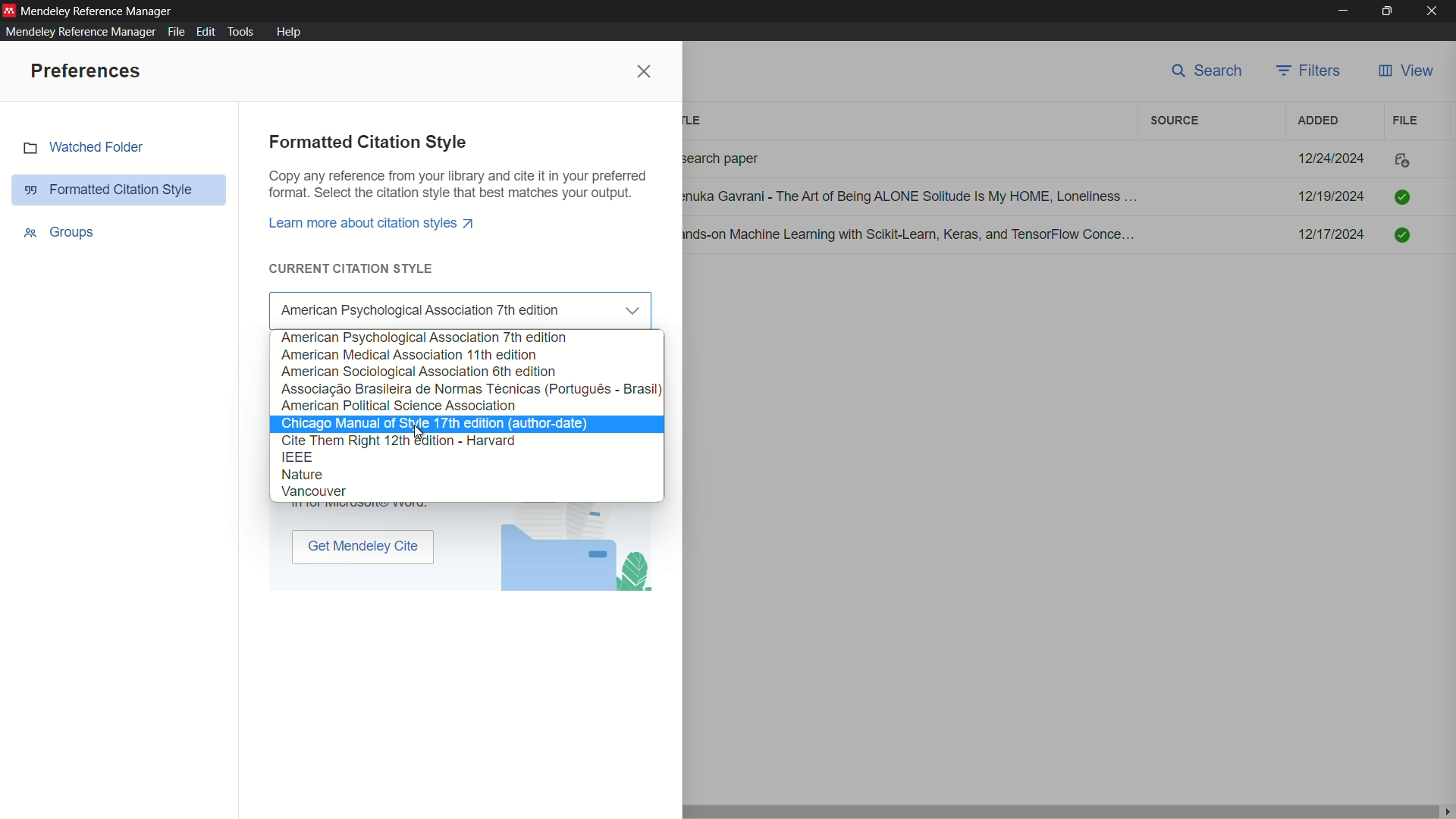 This screenshot has width=1456, height=819. What do you see at coordinates (428, 435) in the screenshot?
I see `cursor` at bounding box center [428, 435].